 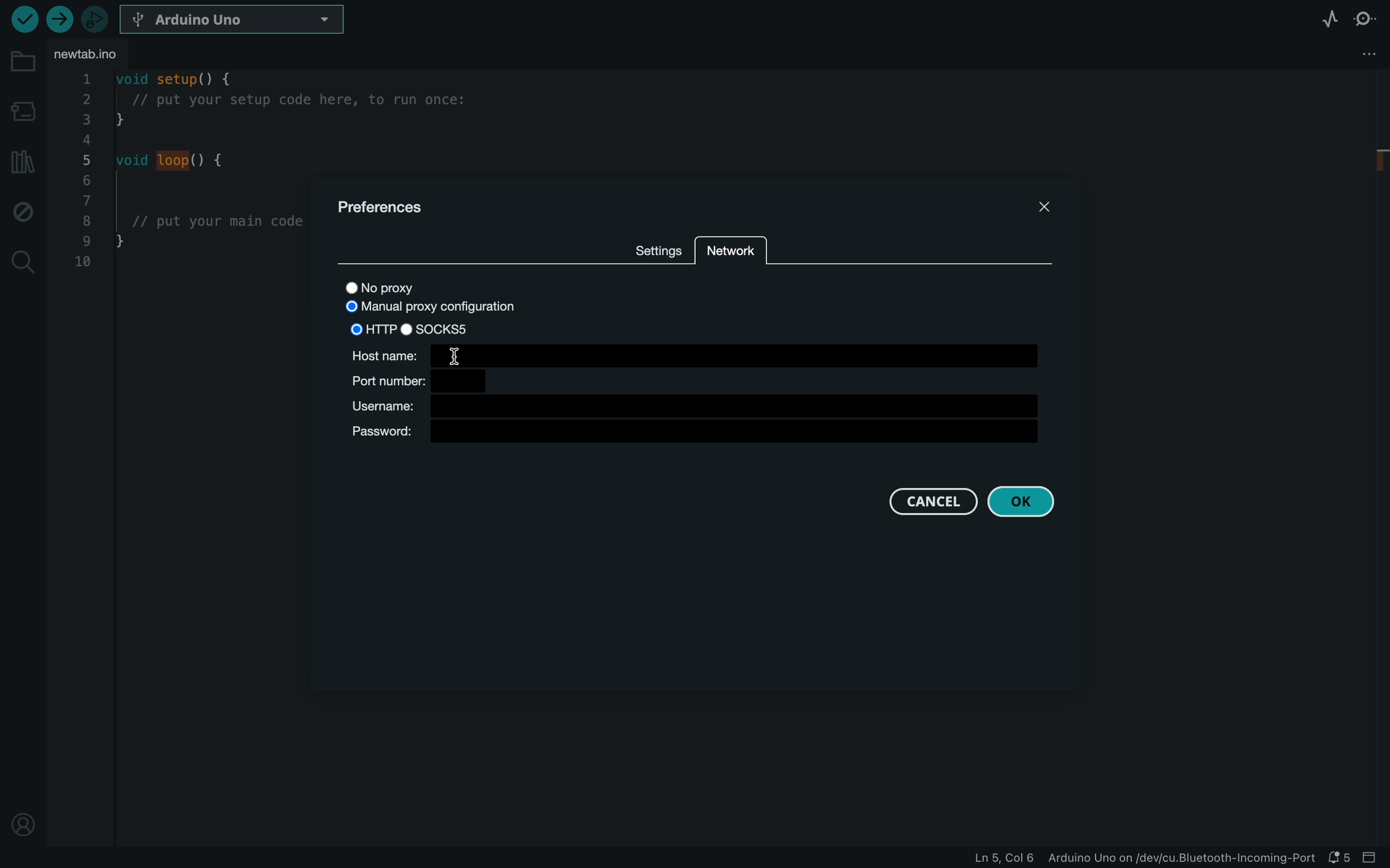 I want to click on file setting, so click(x=1343, y=53).